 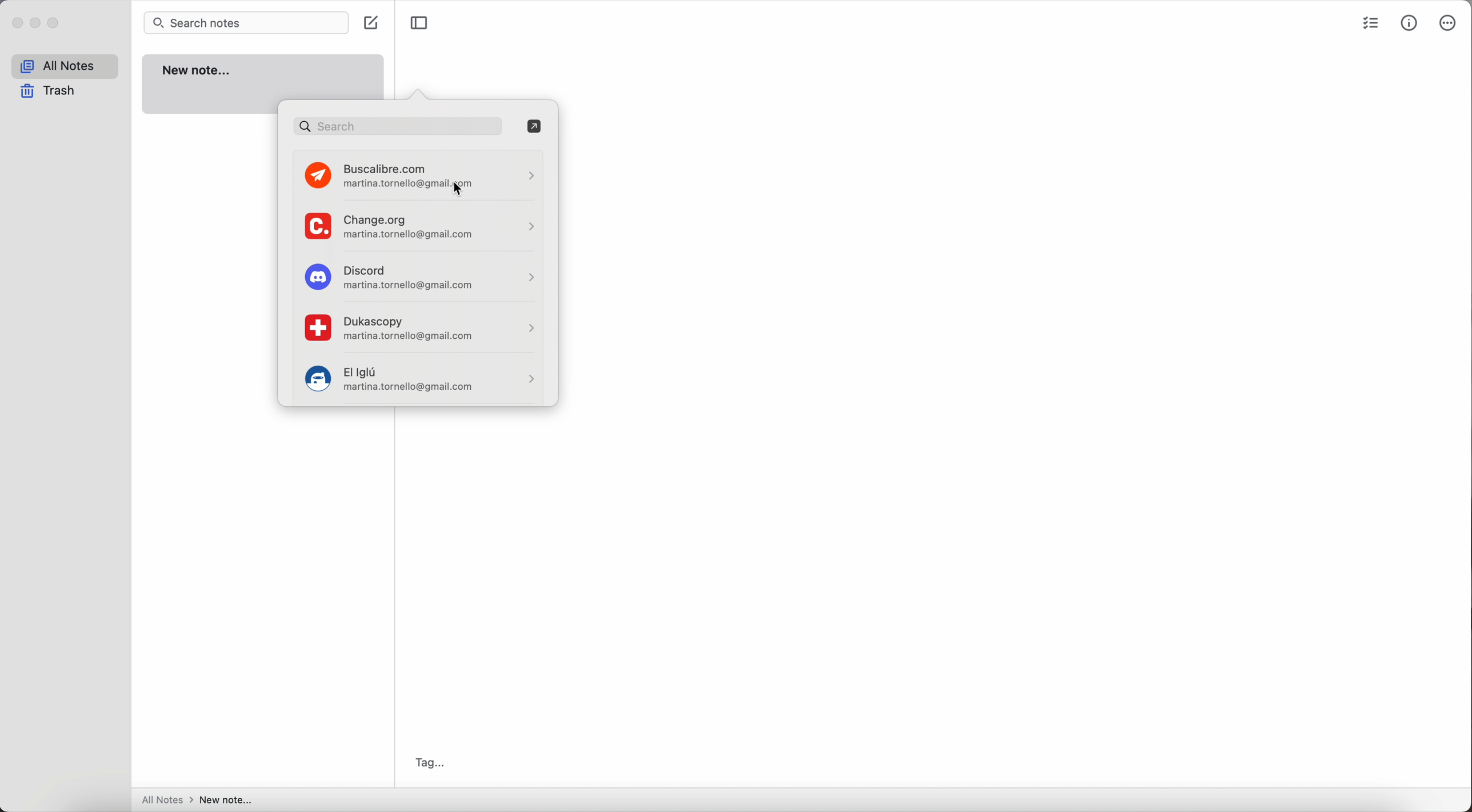 What do you see at coordinates (197, 801) in the screenshot?
I see `all notes > new note` at bounding box center [197, 801].